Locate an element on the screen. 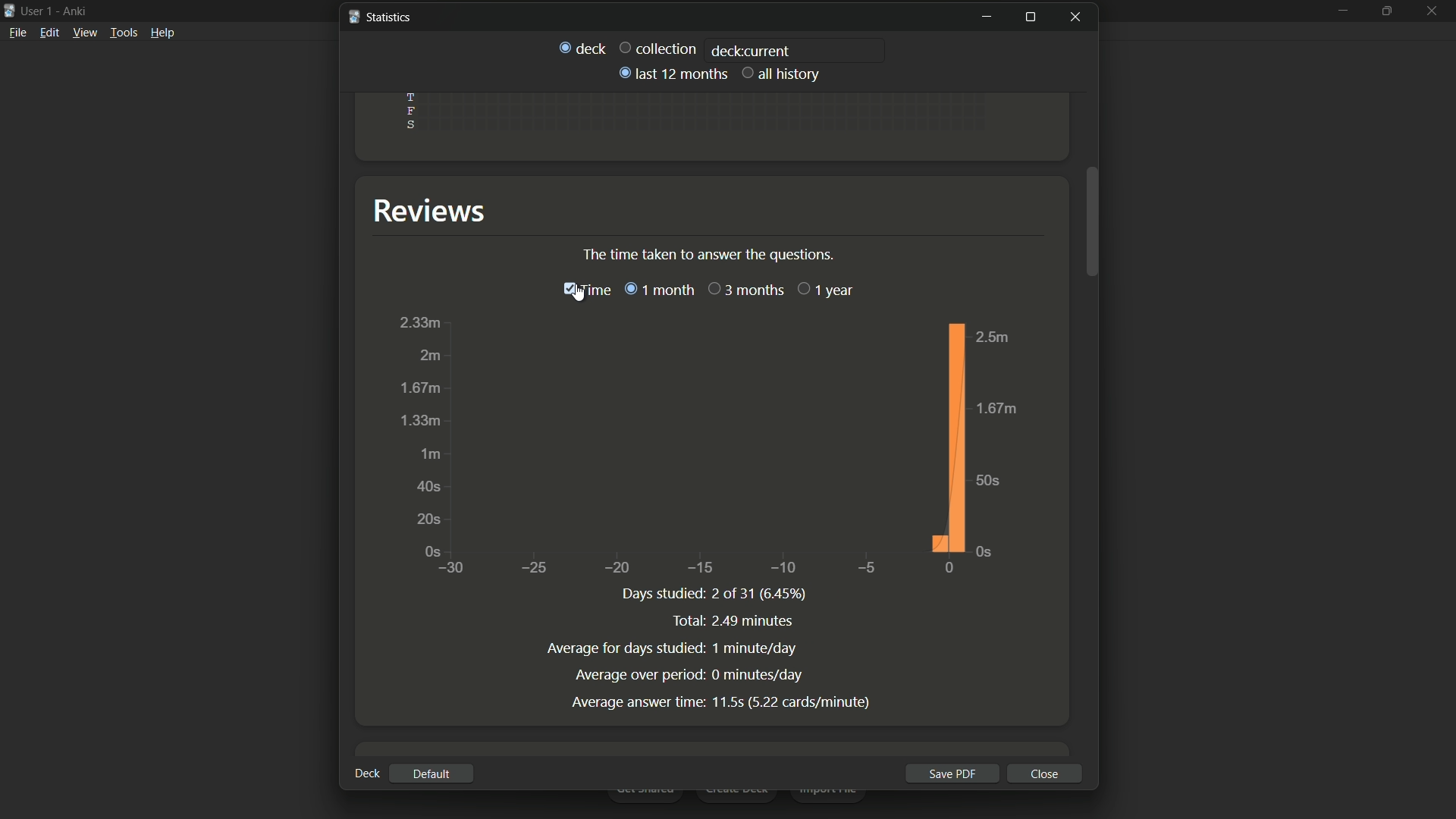 The height and width of the screenshot is (819, 1456). average for days studied is located at coordinates (624, 648).